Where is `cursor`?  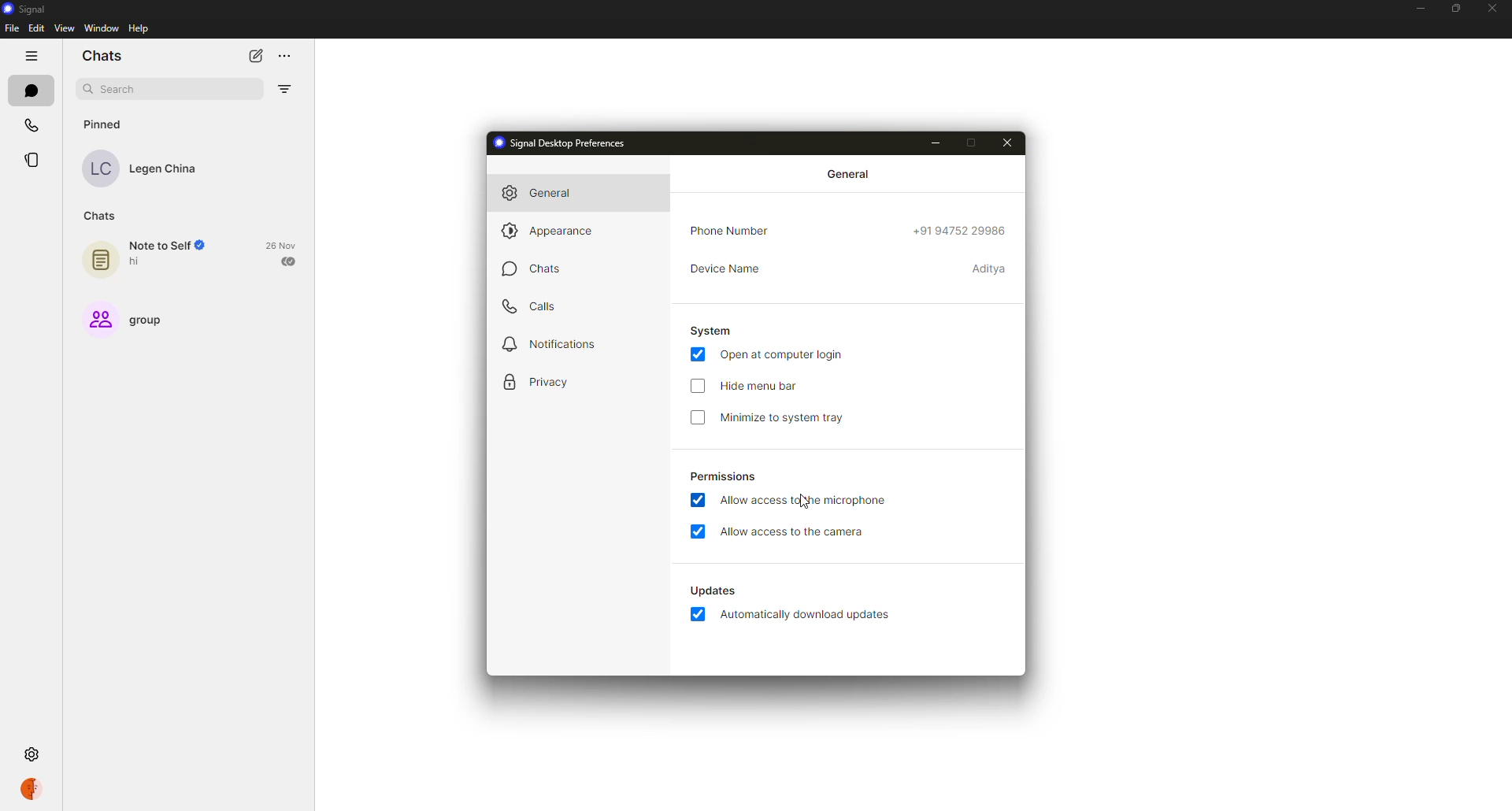
cursor is located at coordinates (807, 504).